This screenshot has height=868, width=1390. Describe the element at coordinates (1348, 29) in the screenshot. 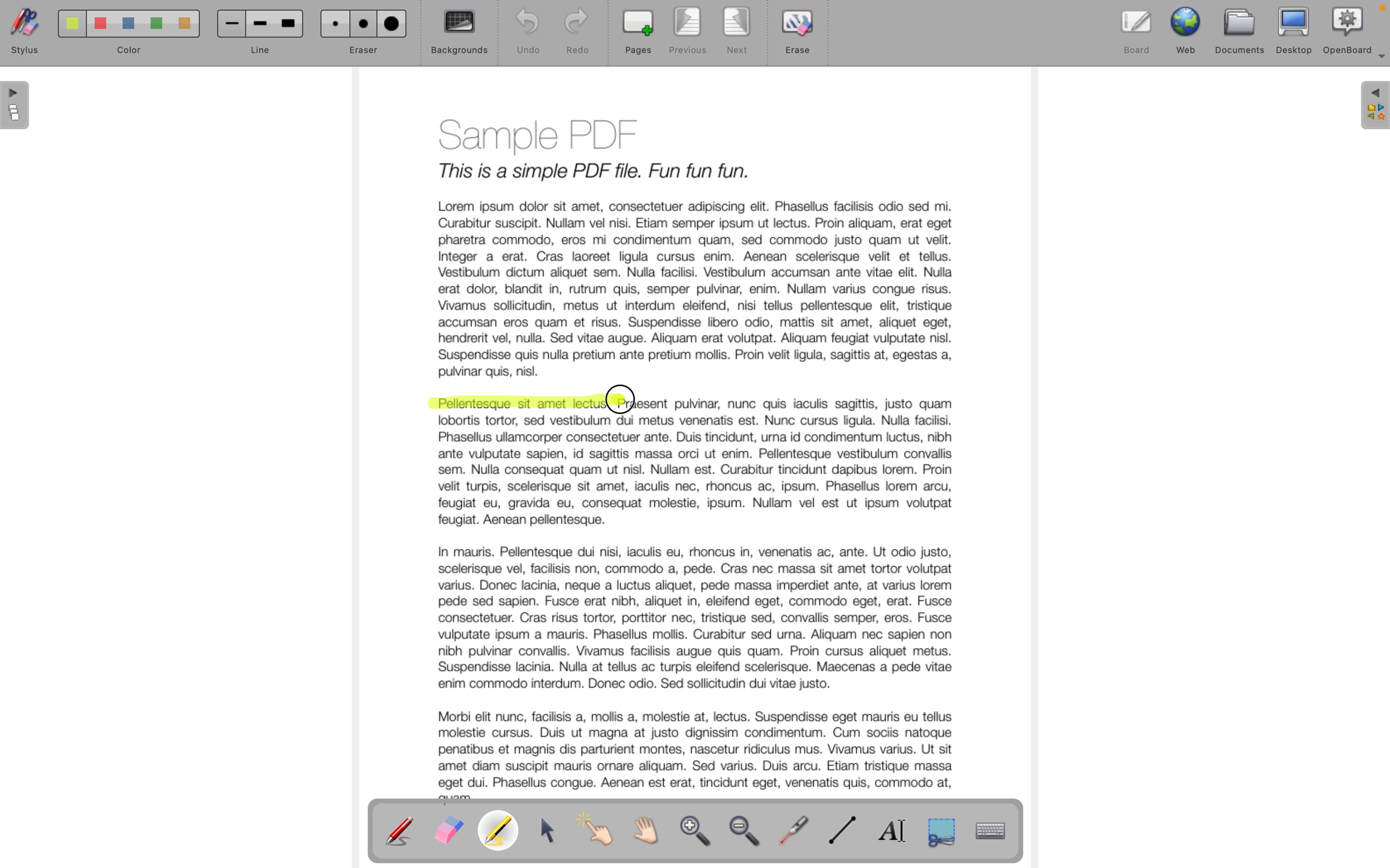

I see `openboard` at that location.